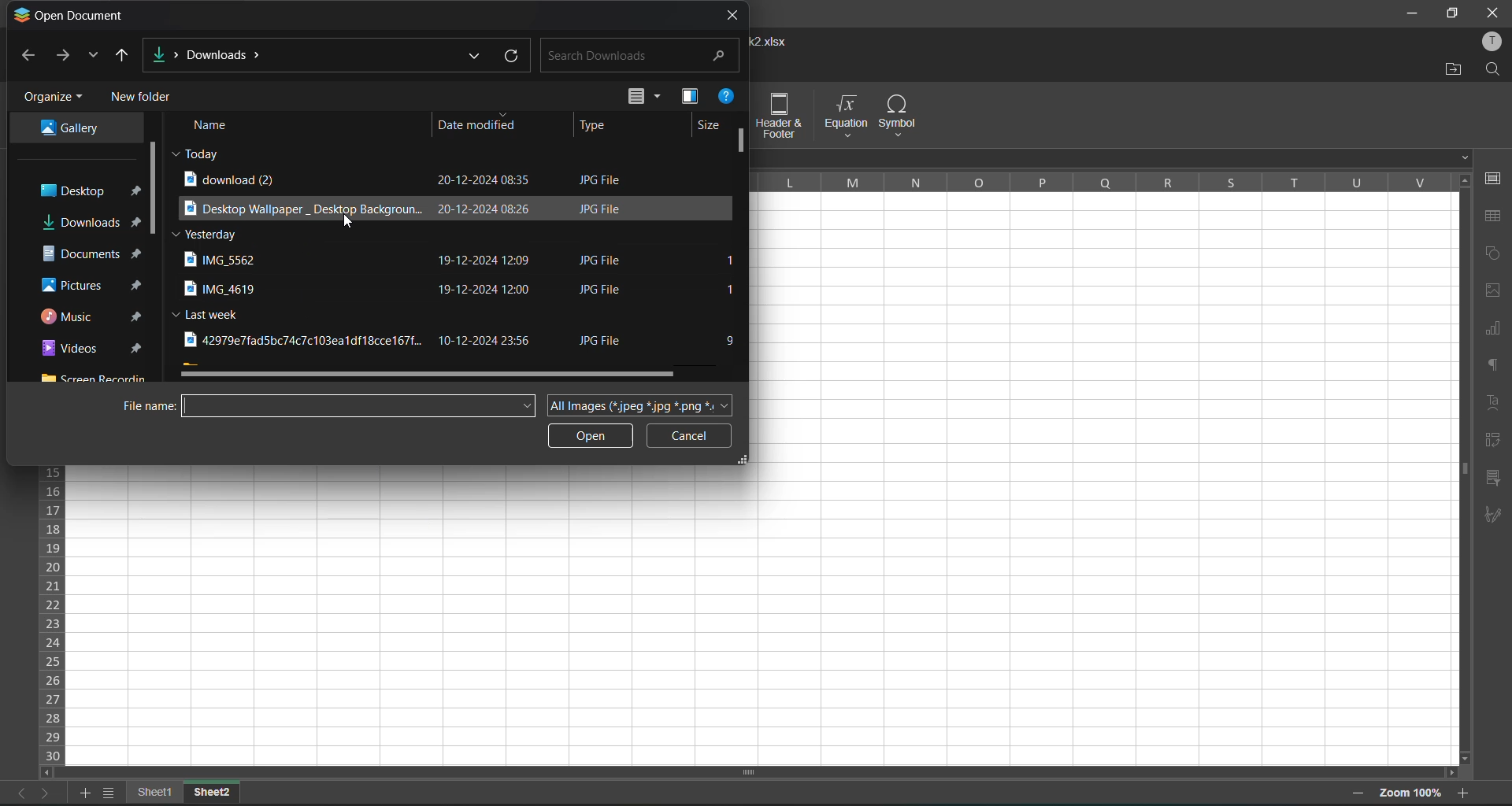 Image resolution: width=1512 pixels, height=806 pixels. What do you see at coordinates (89, 283) in the screenshot?
I see `pictures` at bounding box center [89, 283].